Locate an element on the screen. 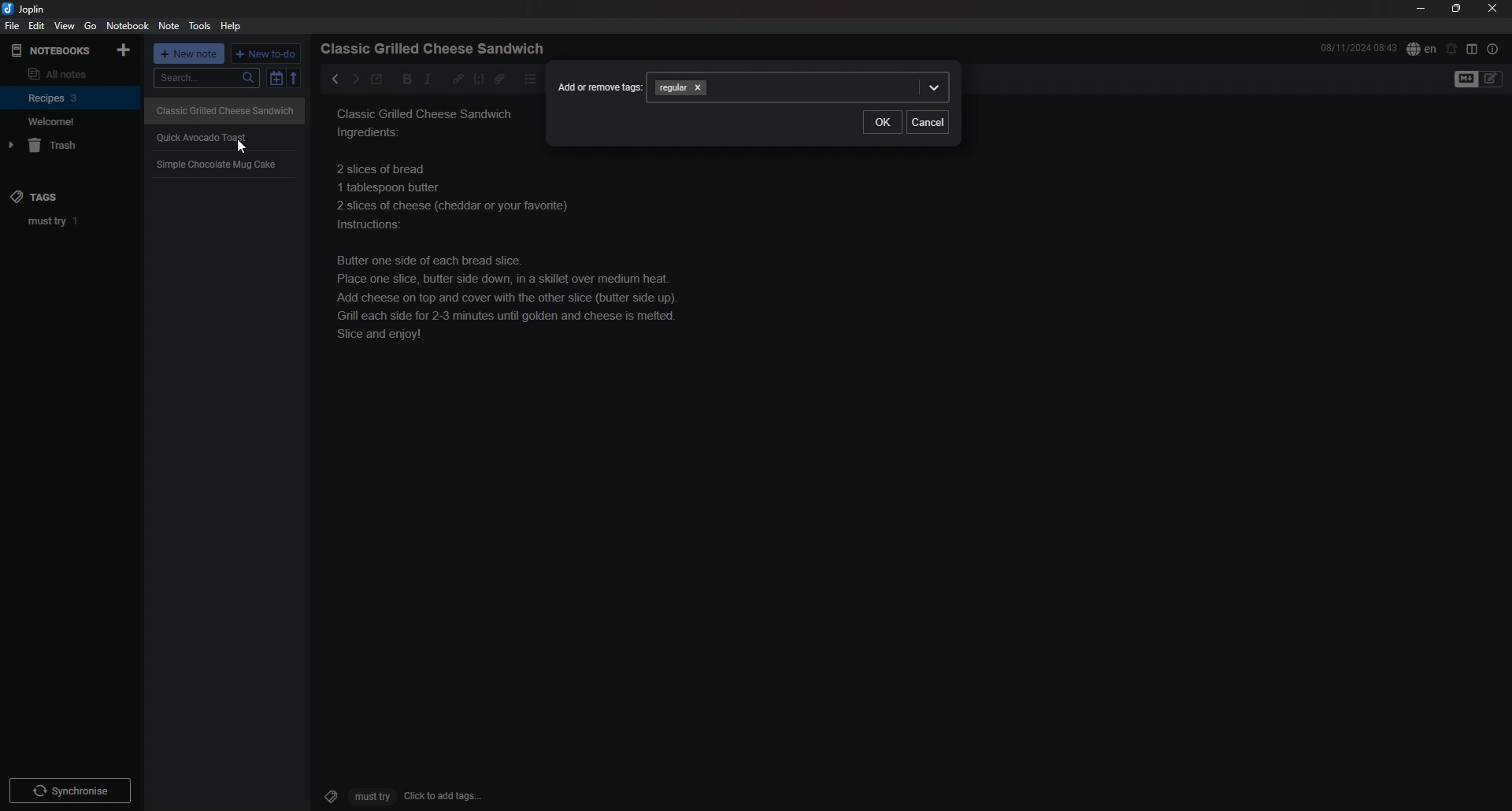 The image size is (1512, 811). toggle editor is located at coordinates (1480, 80).